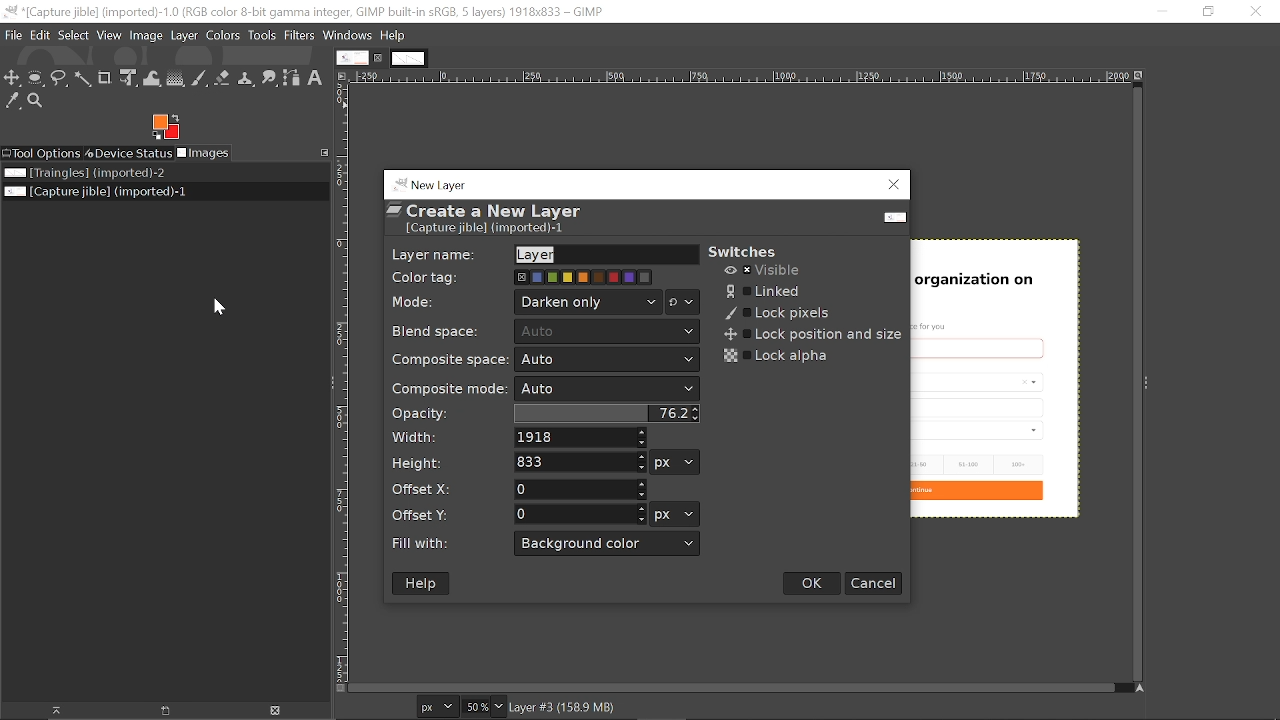  I want to click on Clone, so click(247, 77).